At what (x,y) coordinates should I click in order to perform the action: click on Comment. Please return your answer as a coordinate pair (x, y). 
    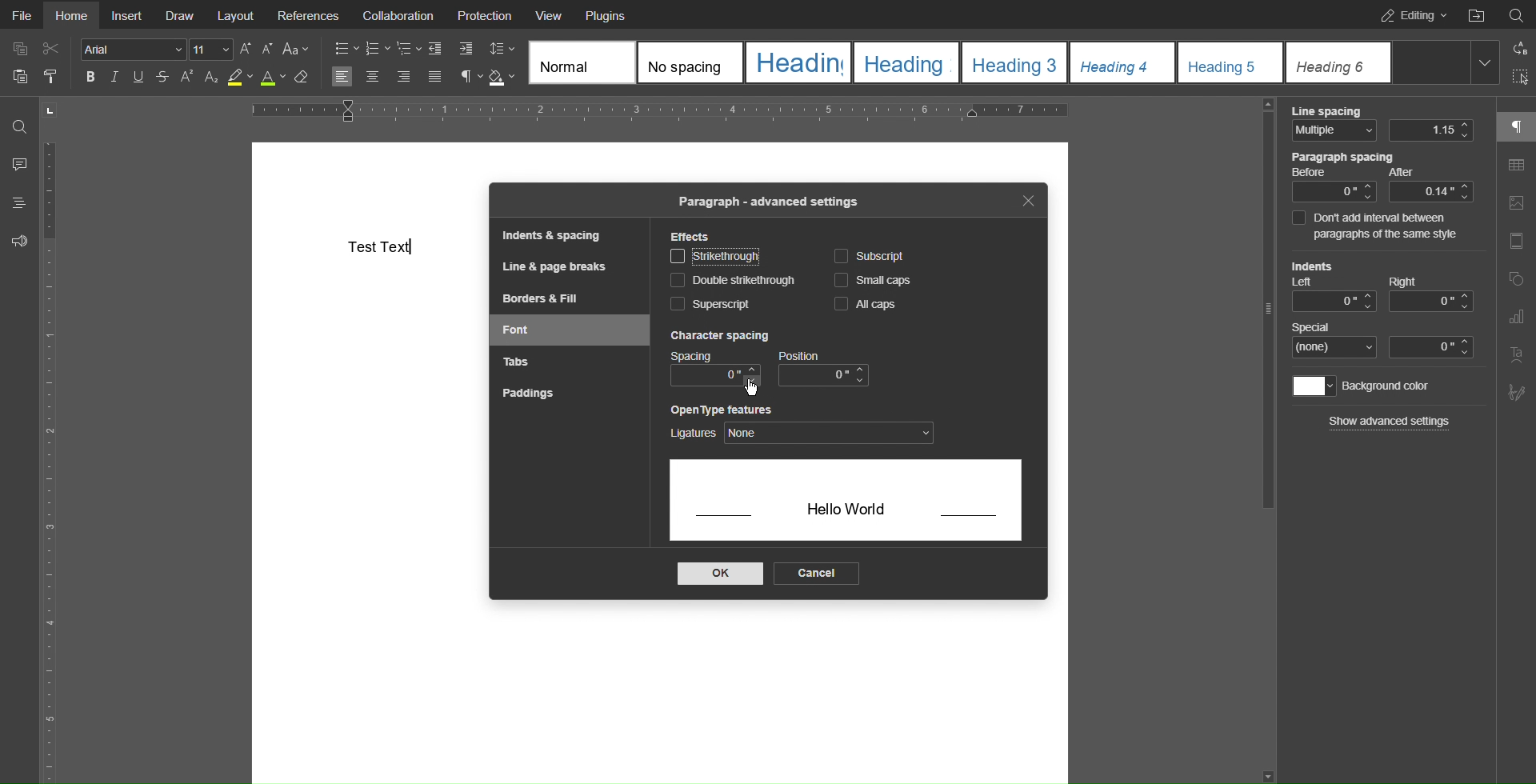
    Looking at the image, I should click on (18, 164).